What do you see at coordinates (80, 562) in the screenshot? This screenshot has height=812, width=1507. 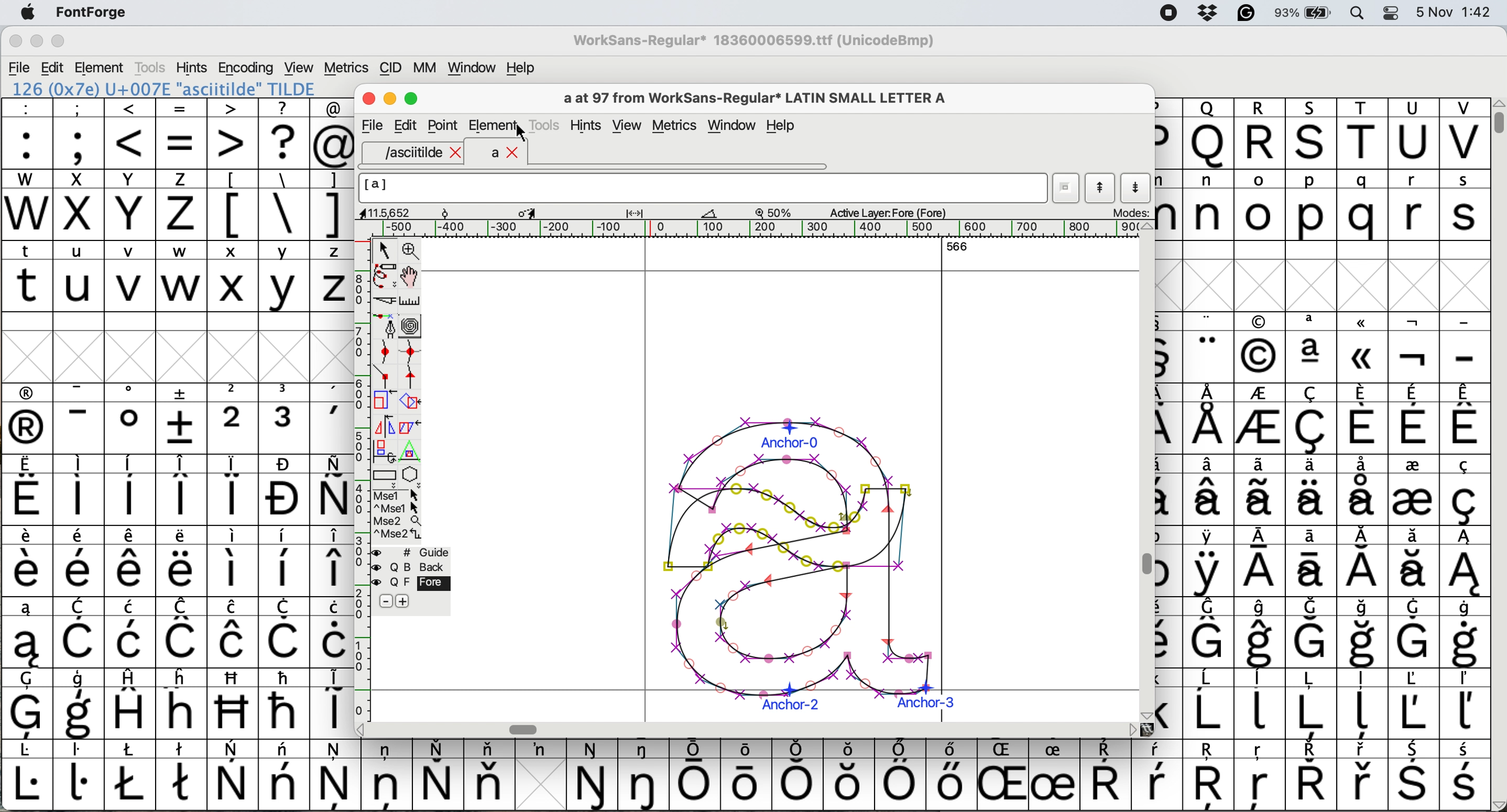 I see `symbol` at bounding box center [80, 562].